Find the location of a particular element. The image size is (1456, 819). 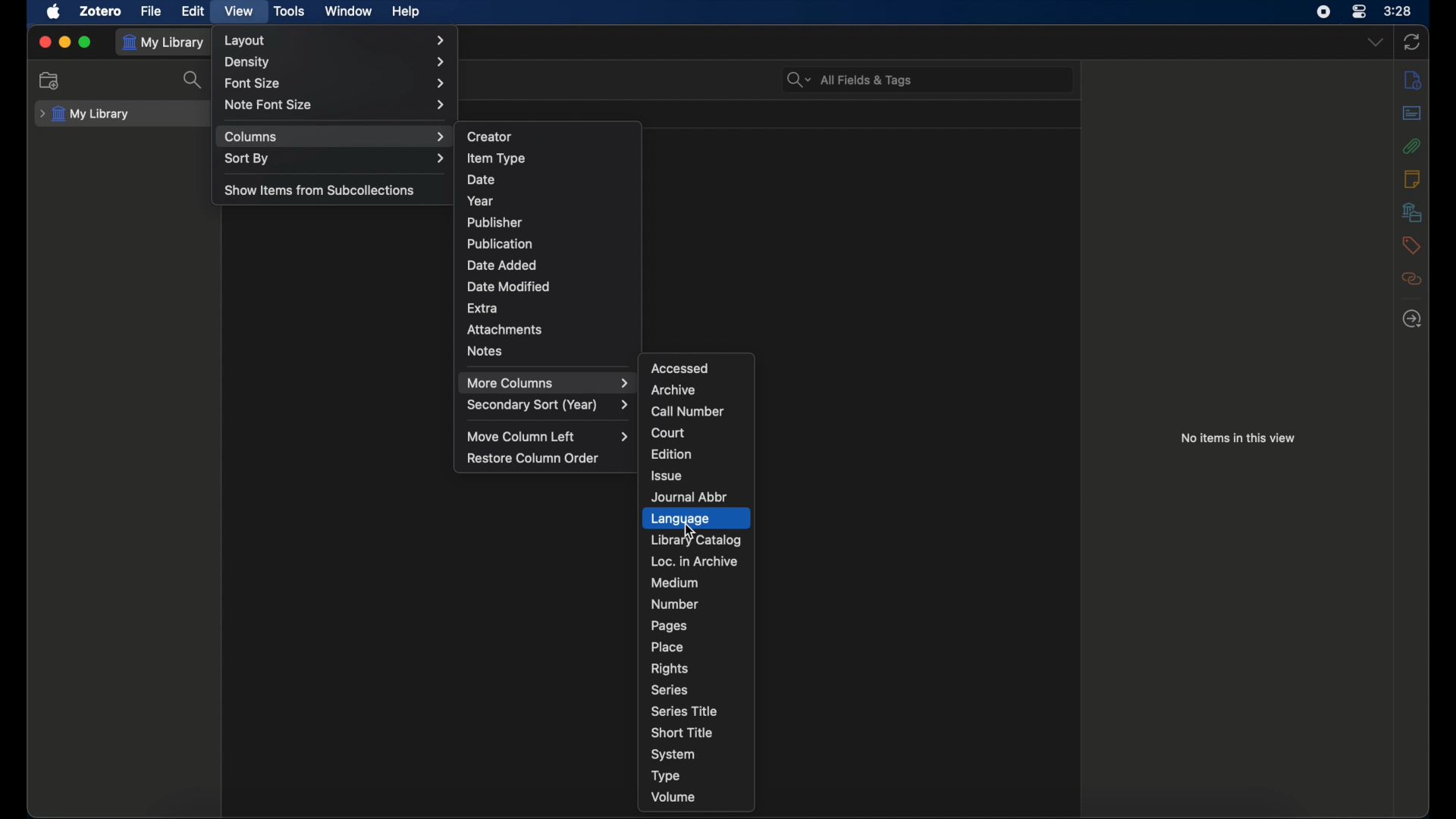

secondary sort is located at coordinates (548, 406).